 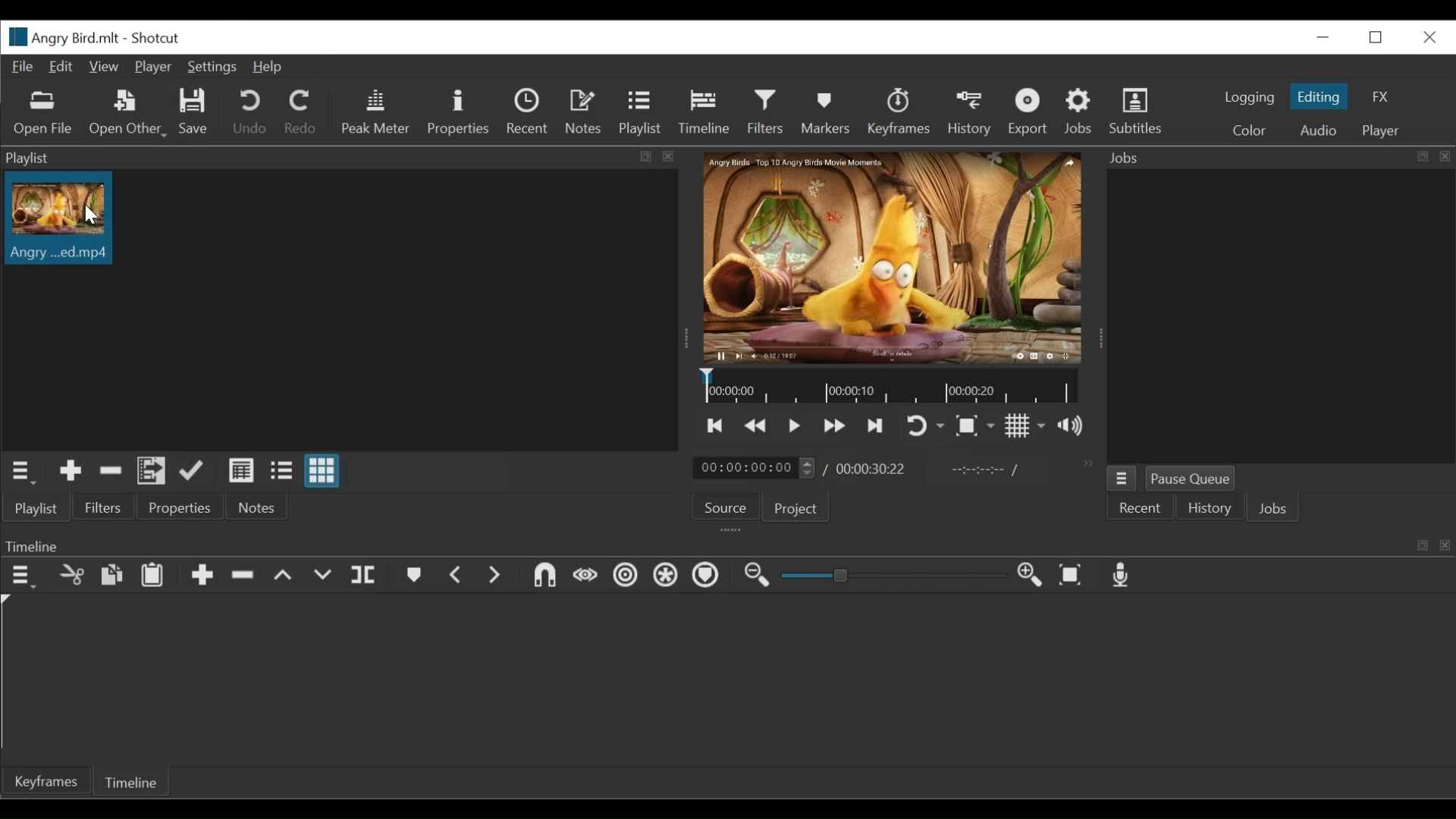 I want to click on View as icon, so click(x=324, y=470).